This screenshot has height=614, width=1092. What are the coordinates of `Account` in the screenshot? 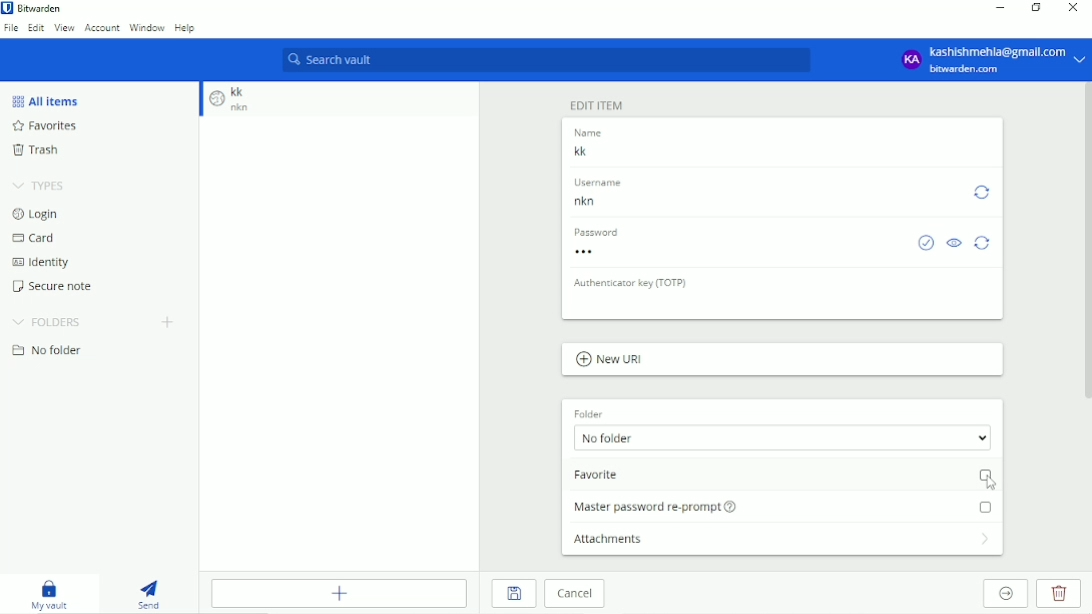 It's located at (992, 59).